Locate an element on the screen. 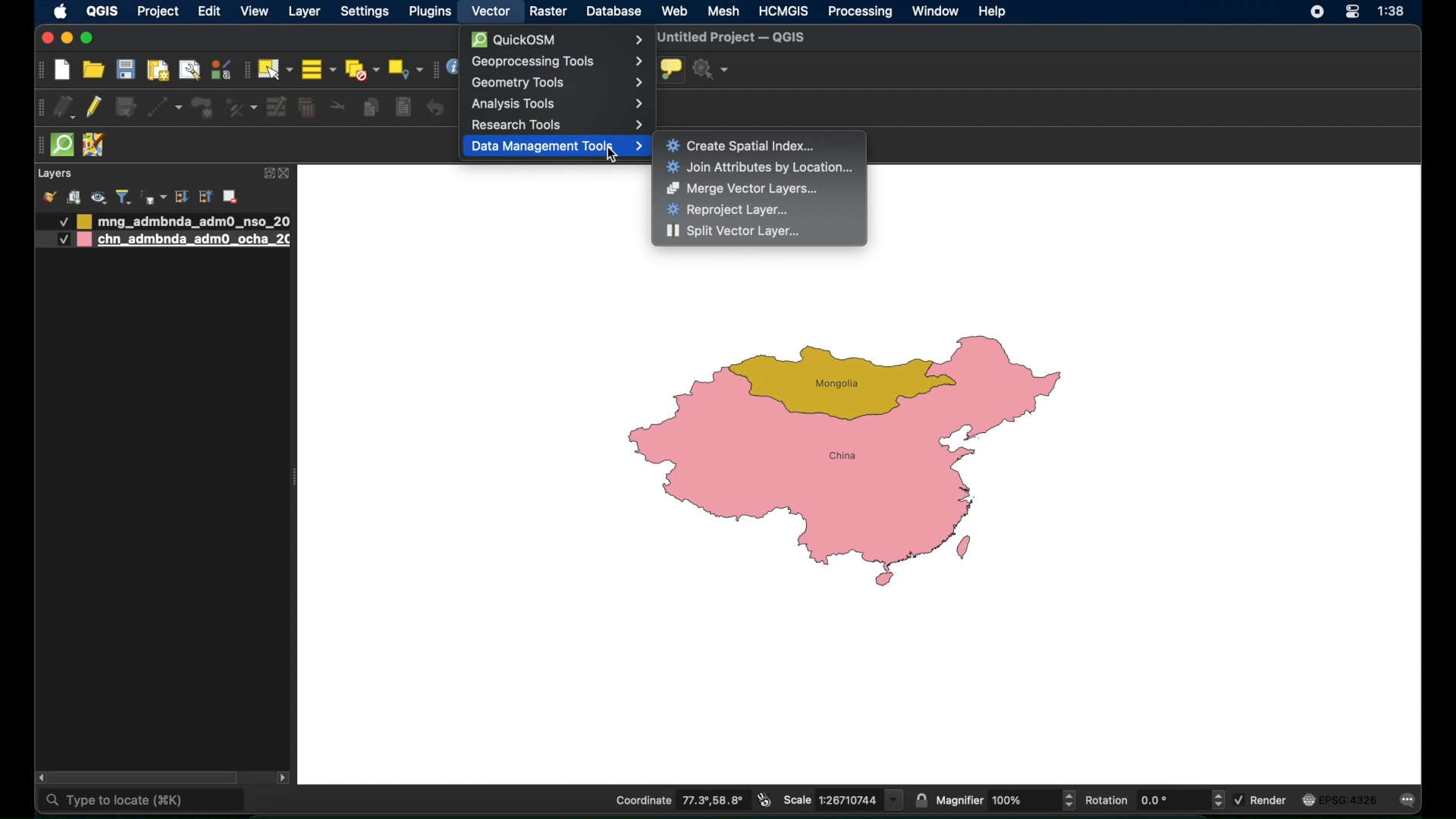 The image size is (1456, 819). cut features is located at coordinates (338, 106).